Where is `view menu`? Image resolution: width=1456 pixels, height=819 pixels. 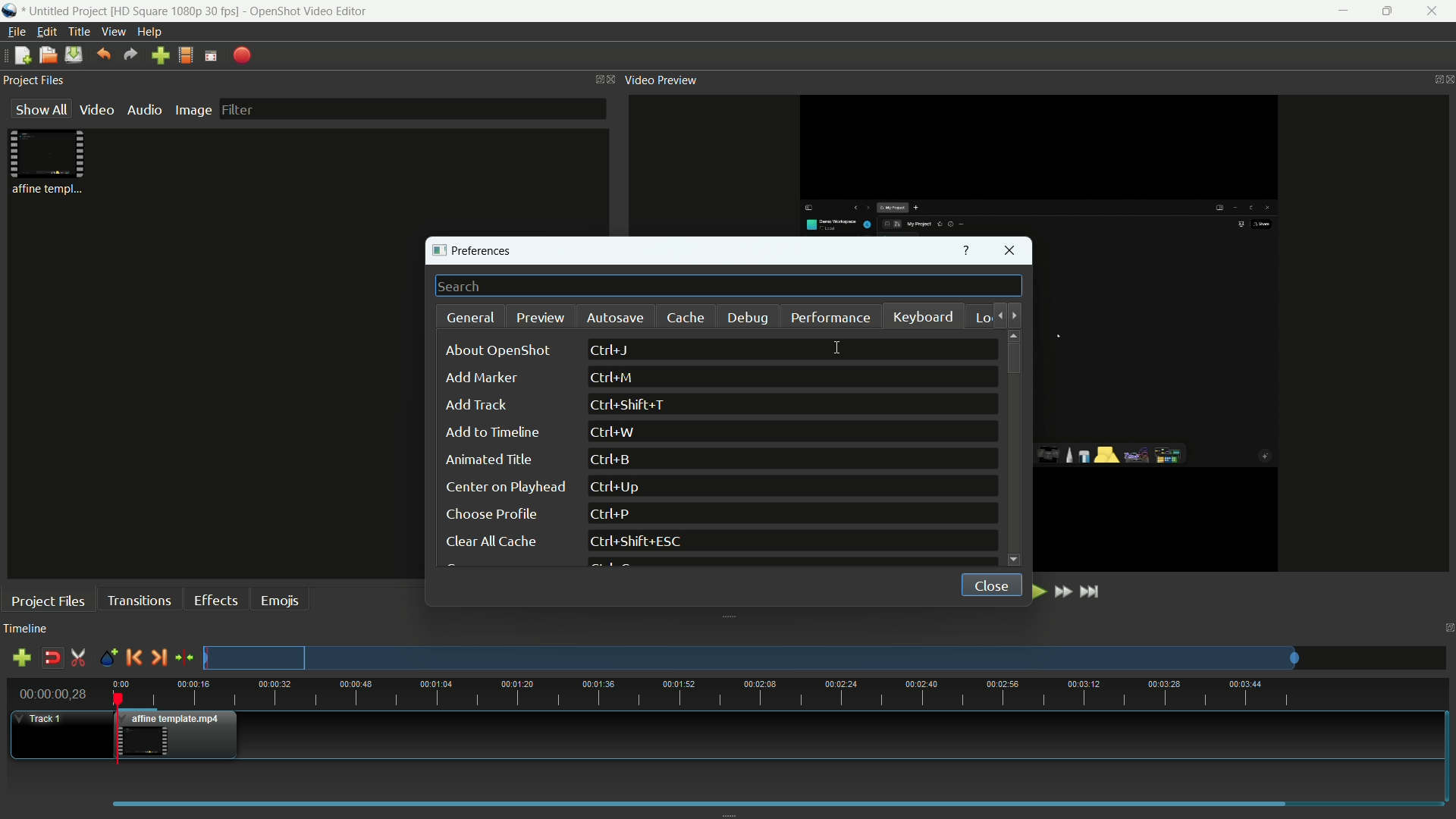 view menu is located at coordinates (114, 32).